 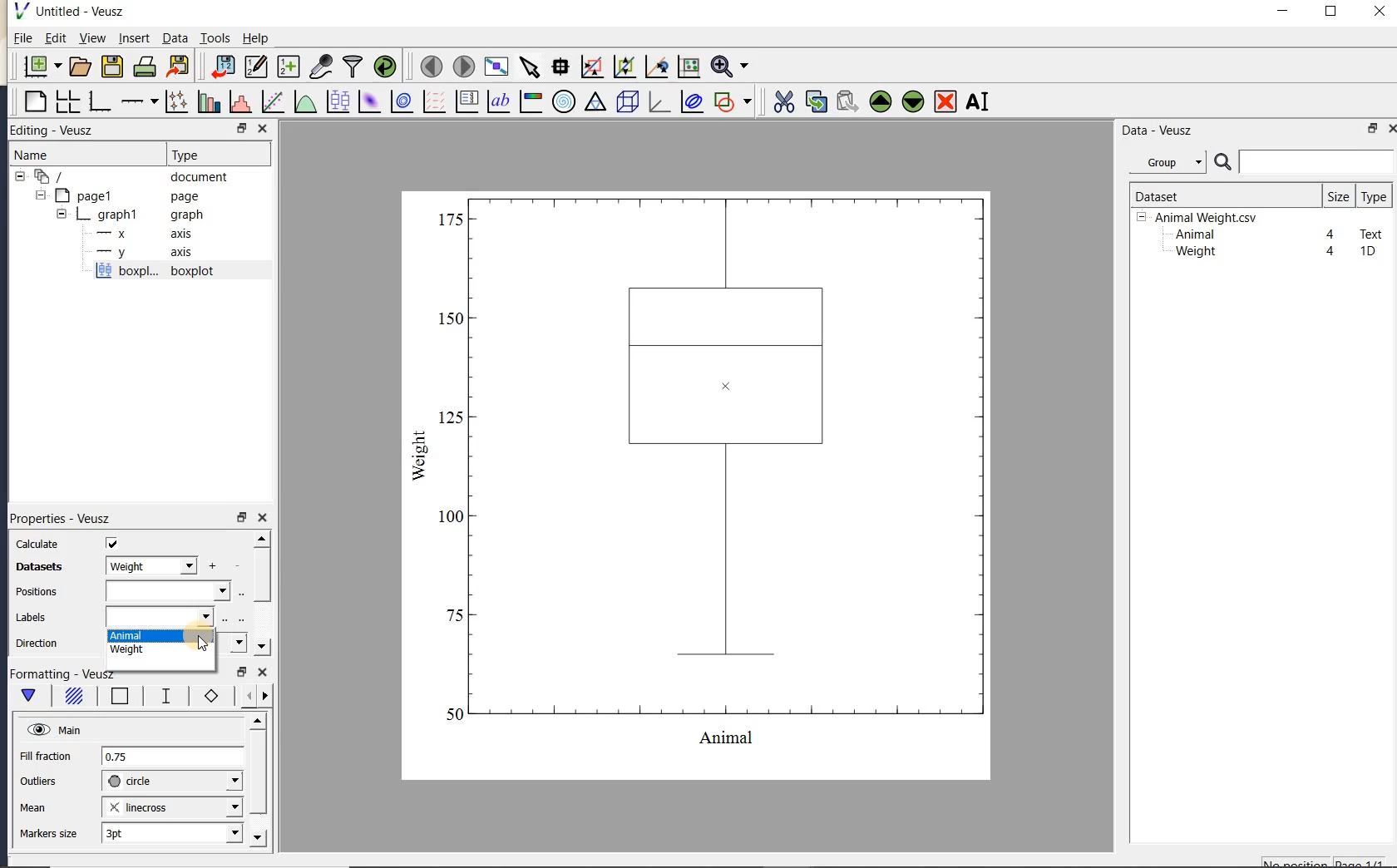 What do you see at coordinates (170, 832) in the screenshot?
I see `3pt` at bounding box center [170, 832].